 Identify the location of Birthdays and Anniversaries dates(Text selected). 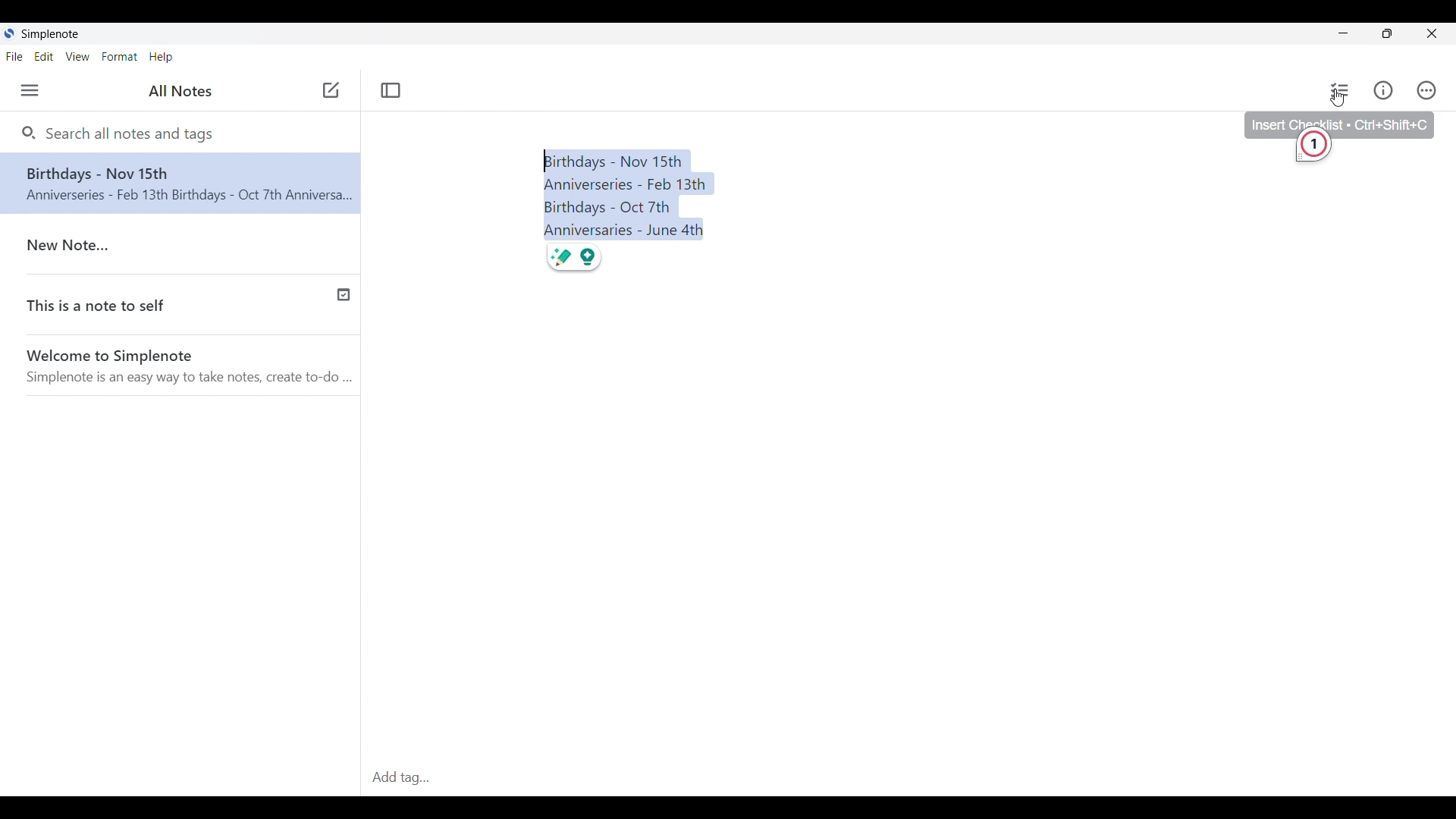
(629, 194).